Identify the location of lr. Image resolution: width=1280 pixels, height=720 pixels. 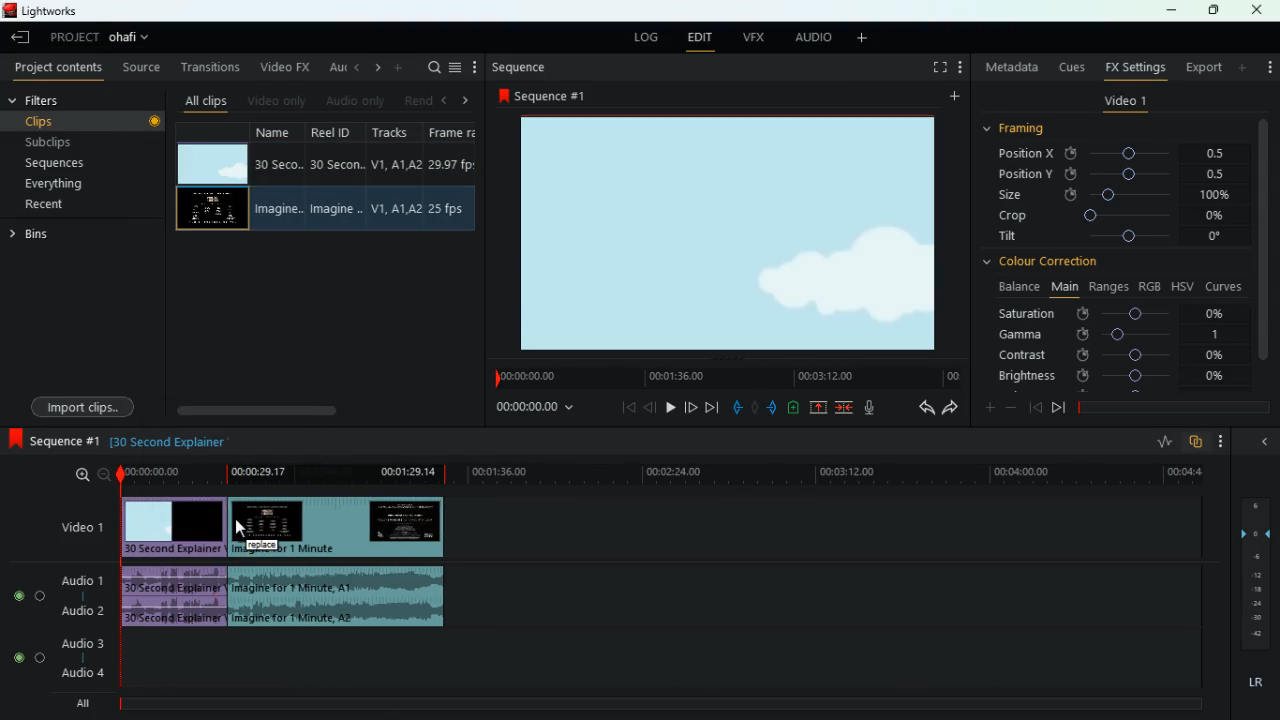
(1254, 683).